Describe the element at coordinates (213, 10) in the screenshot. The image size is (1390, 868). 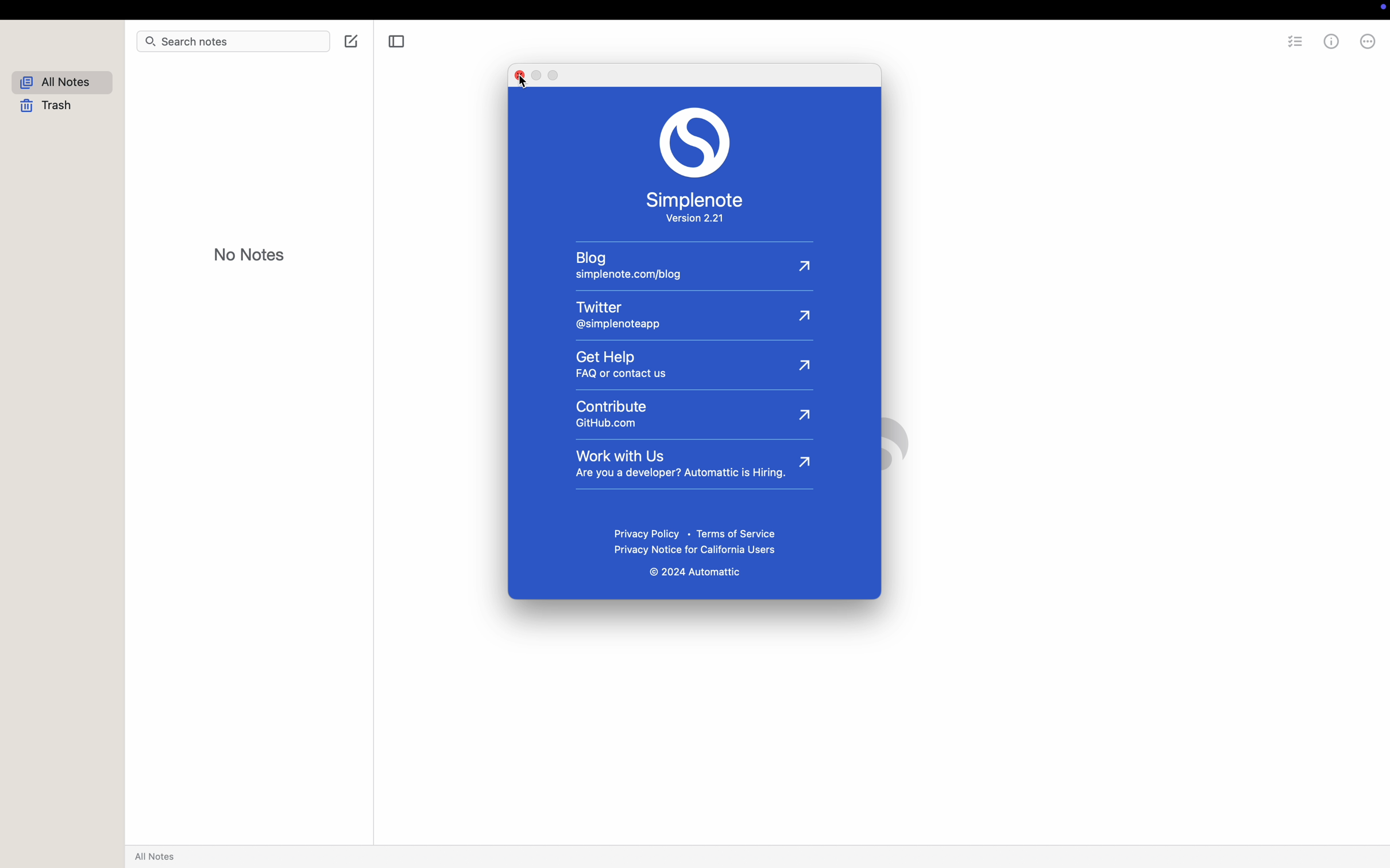
I see `view` at that location.